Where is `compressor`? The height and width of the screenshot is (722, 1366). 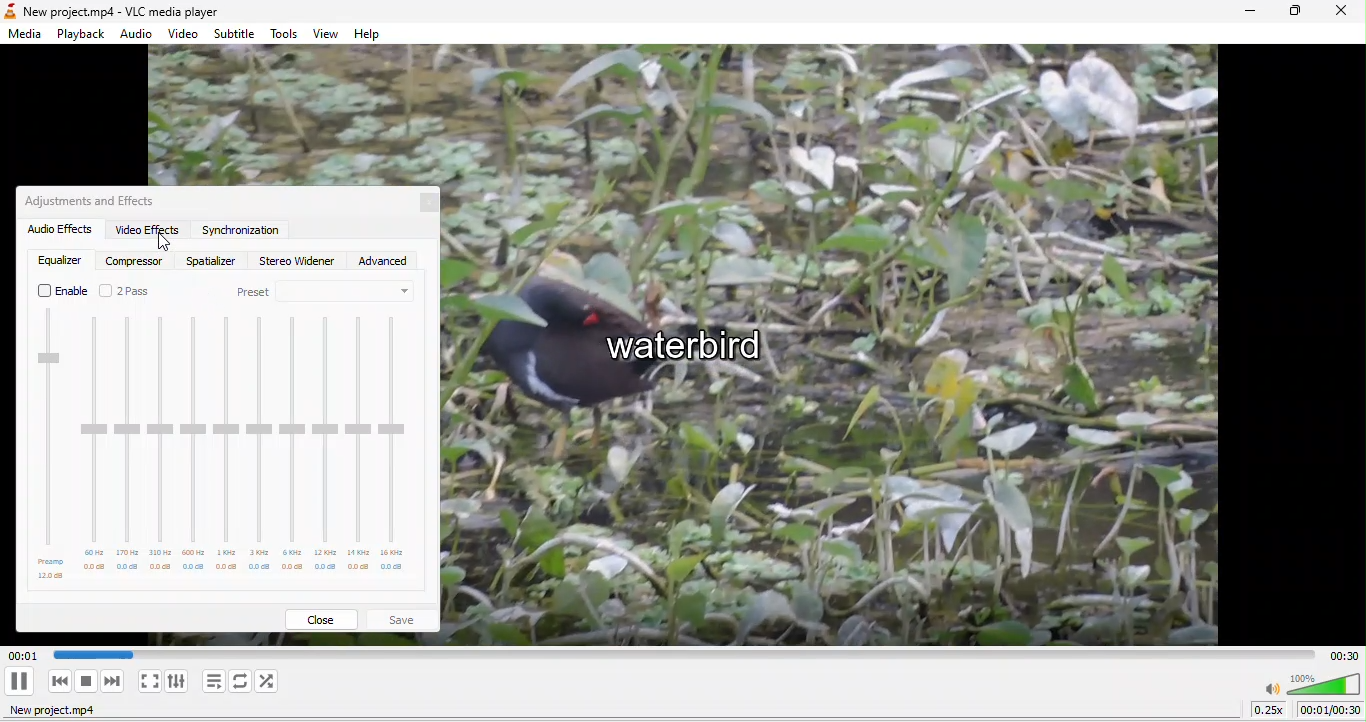
compressor is located at coordinates (135, 260).